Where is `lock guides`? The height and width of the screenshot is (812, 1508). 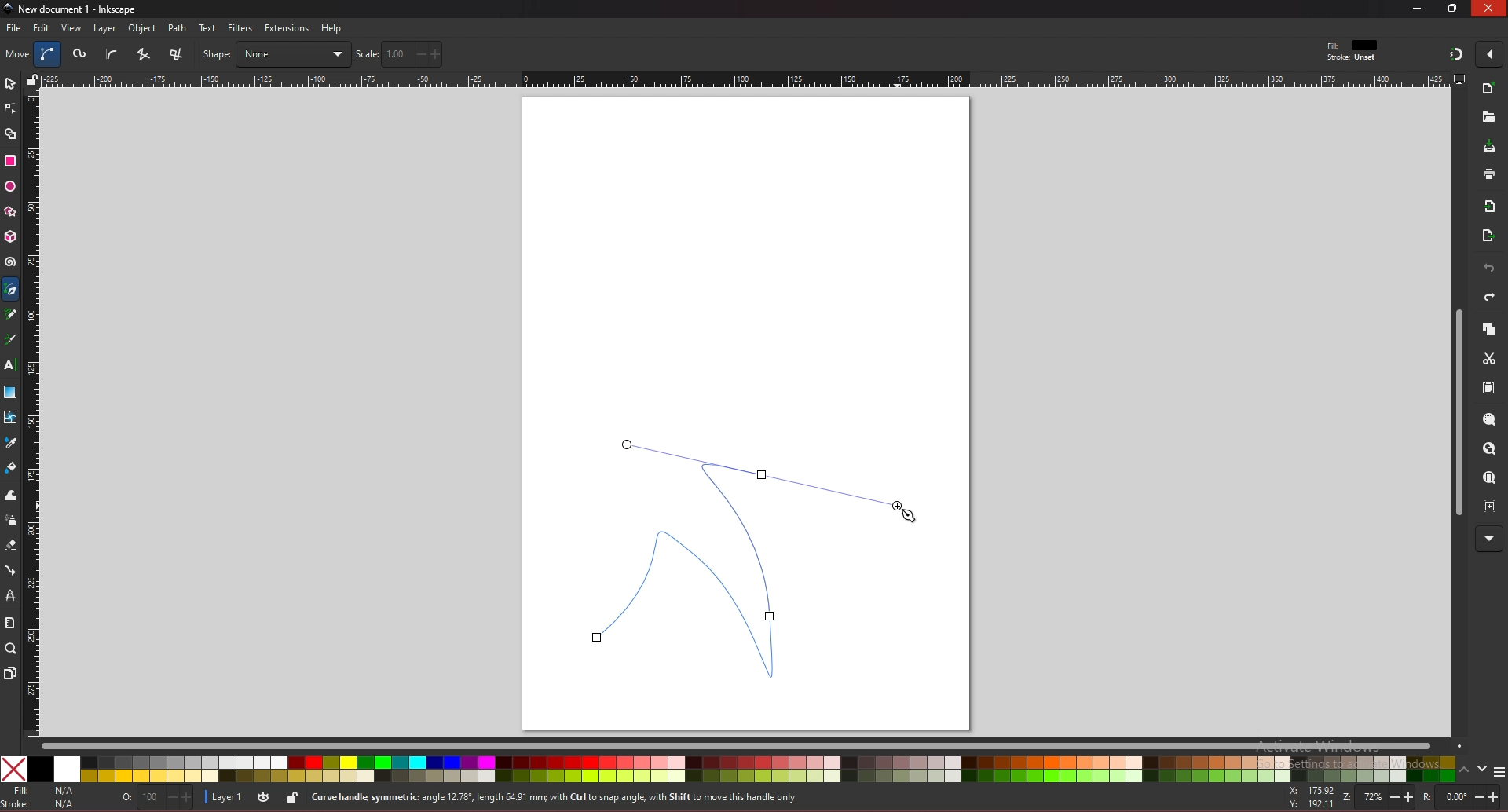 lock guides is located at coordinates (32, 79).